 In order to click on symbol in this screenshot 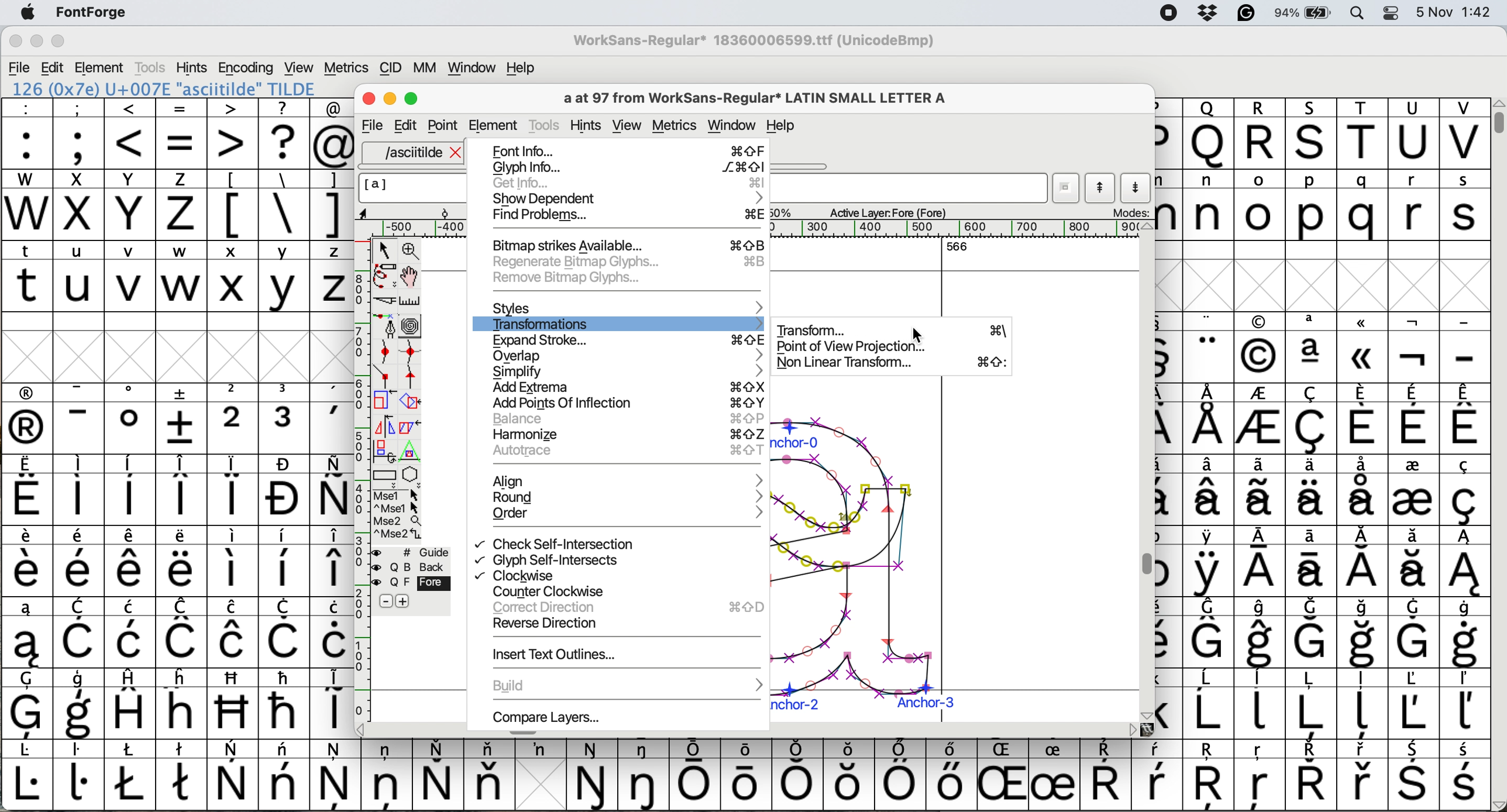, I will do `click(1413, 562)`.